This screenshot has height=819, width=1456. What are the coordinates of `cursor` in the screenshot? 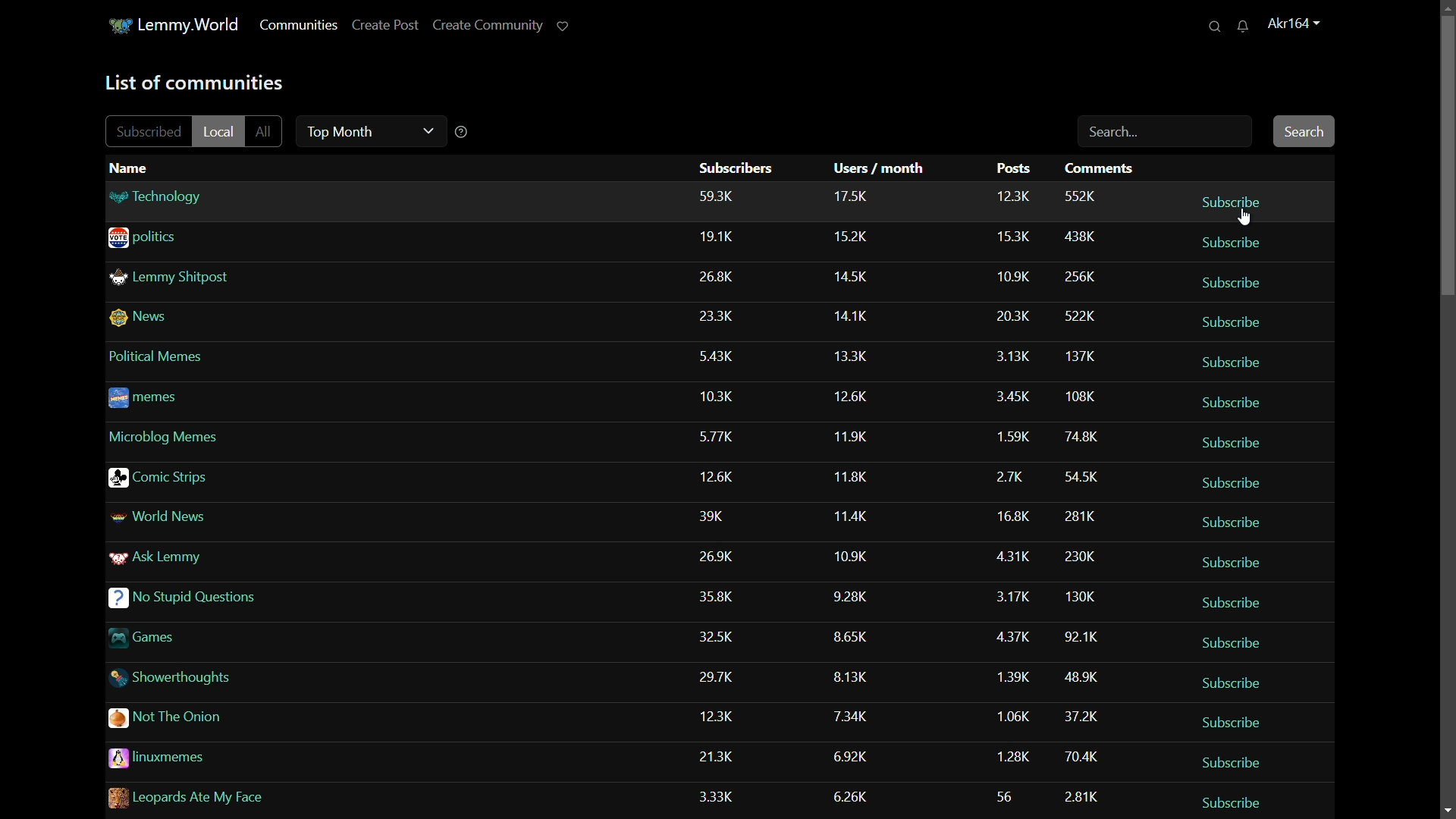 It's located at (1247, 220).